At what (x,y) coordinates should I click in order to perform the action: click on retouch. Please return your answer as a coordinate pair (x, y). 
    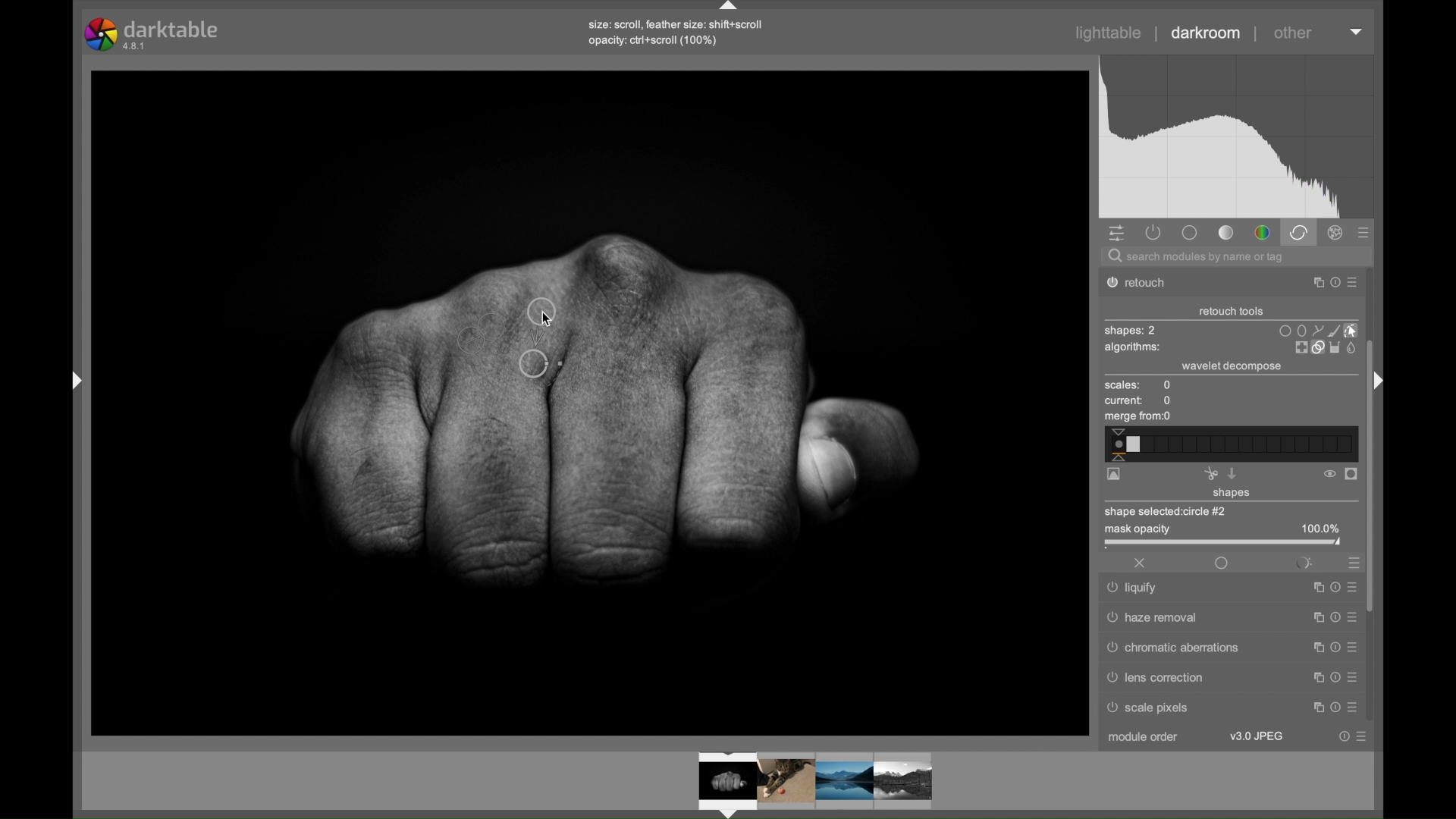
    Looking at the image, I should click on (1145, 283).